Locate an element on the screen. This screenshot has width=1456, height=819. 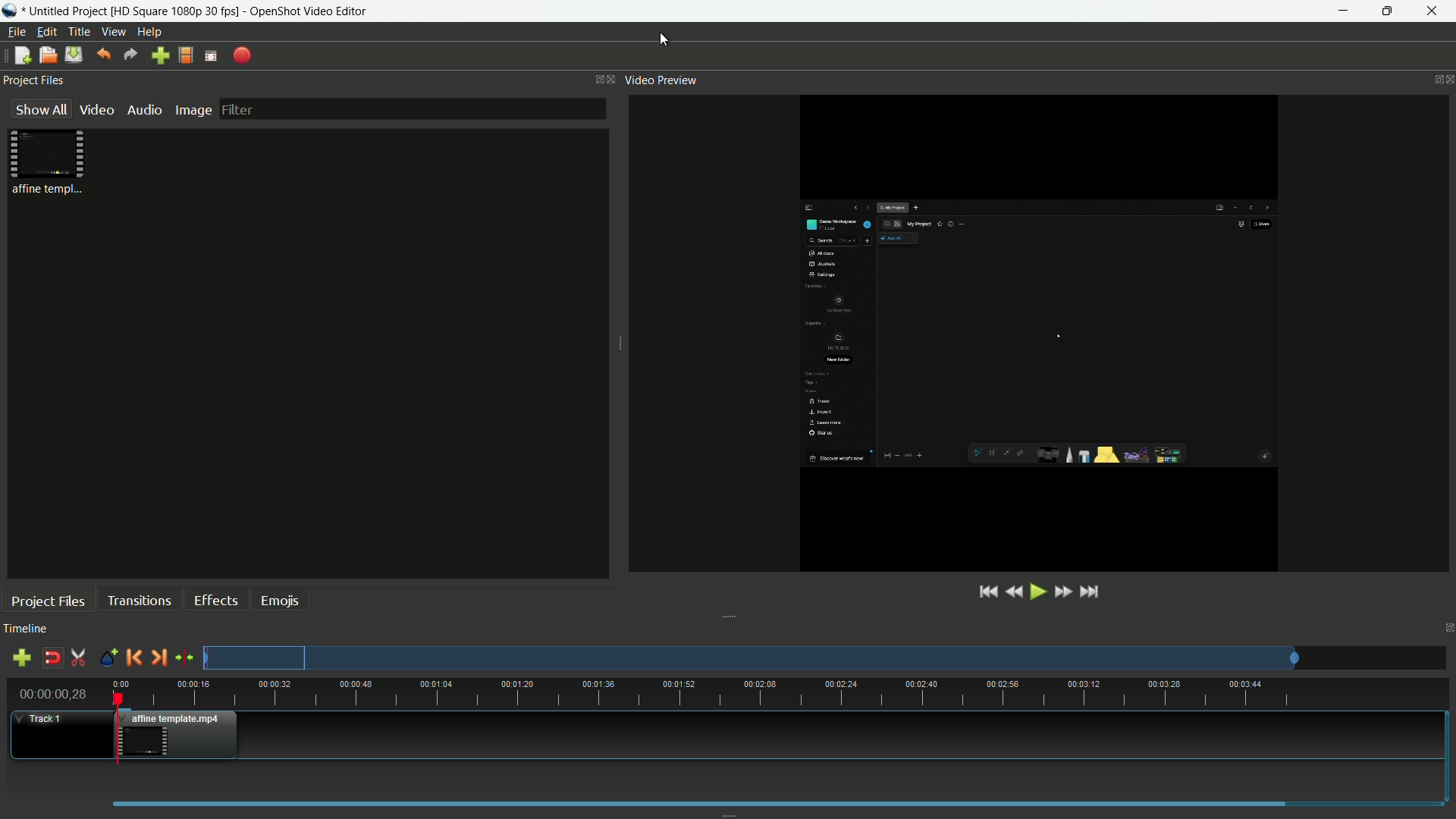
open file is located at coordinates (45, 55).